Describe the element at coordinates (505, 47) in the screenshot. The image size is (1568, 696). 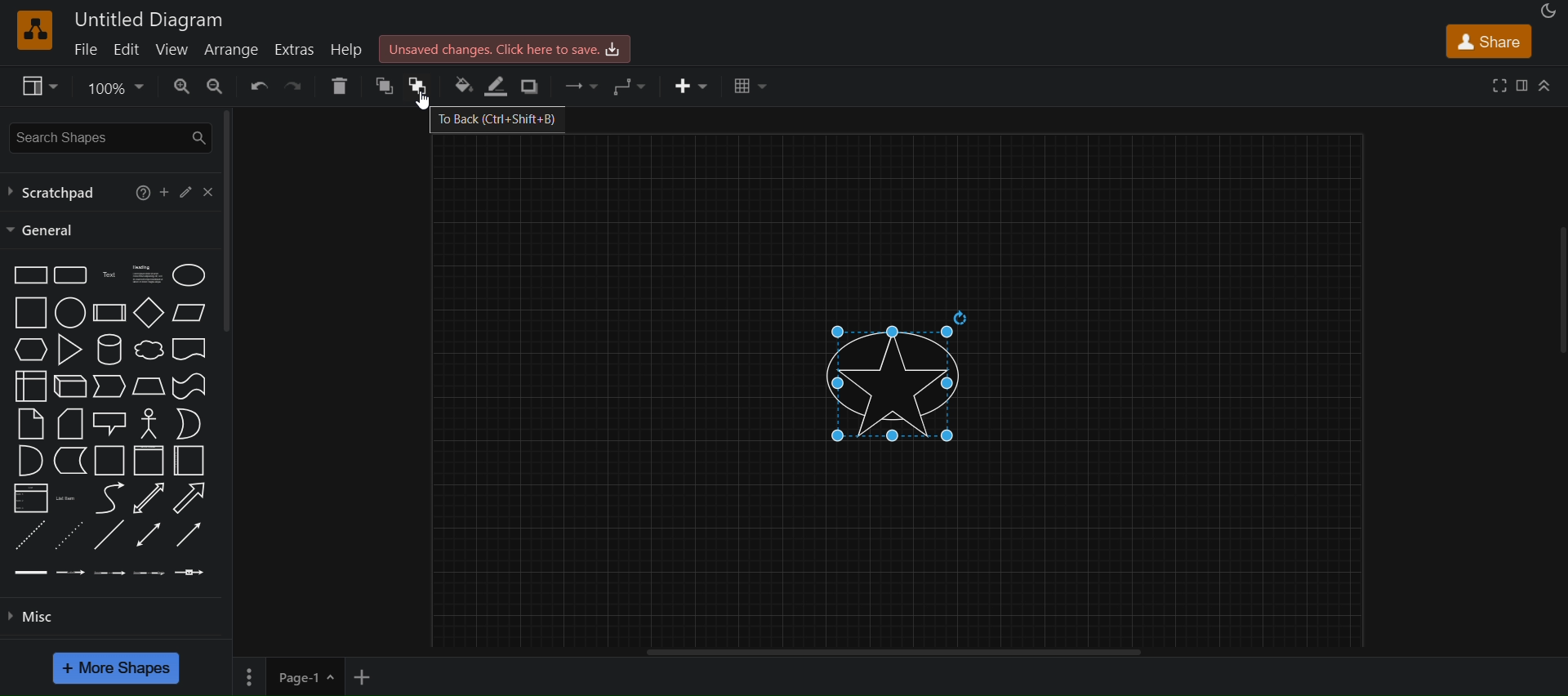
I see `click here to to save` at that location.